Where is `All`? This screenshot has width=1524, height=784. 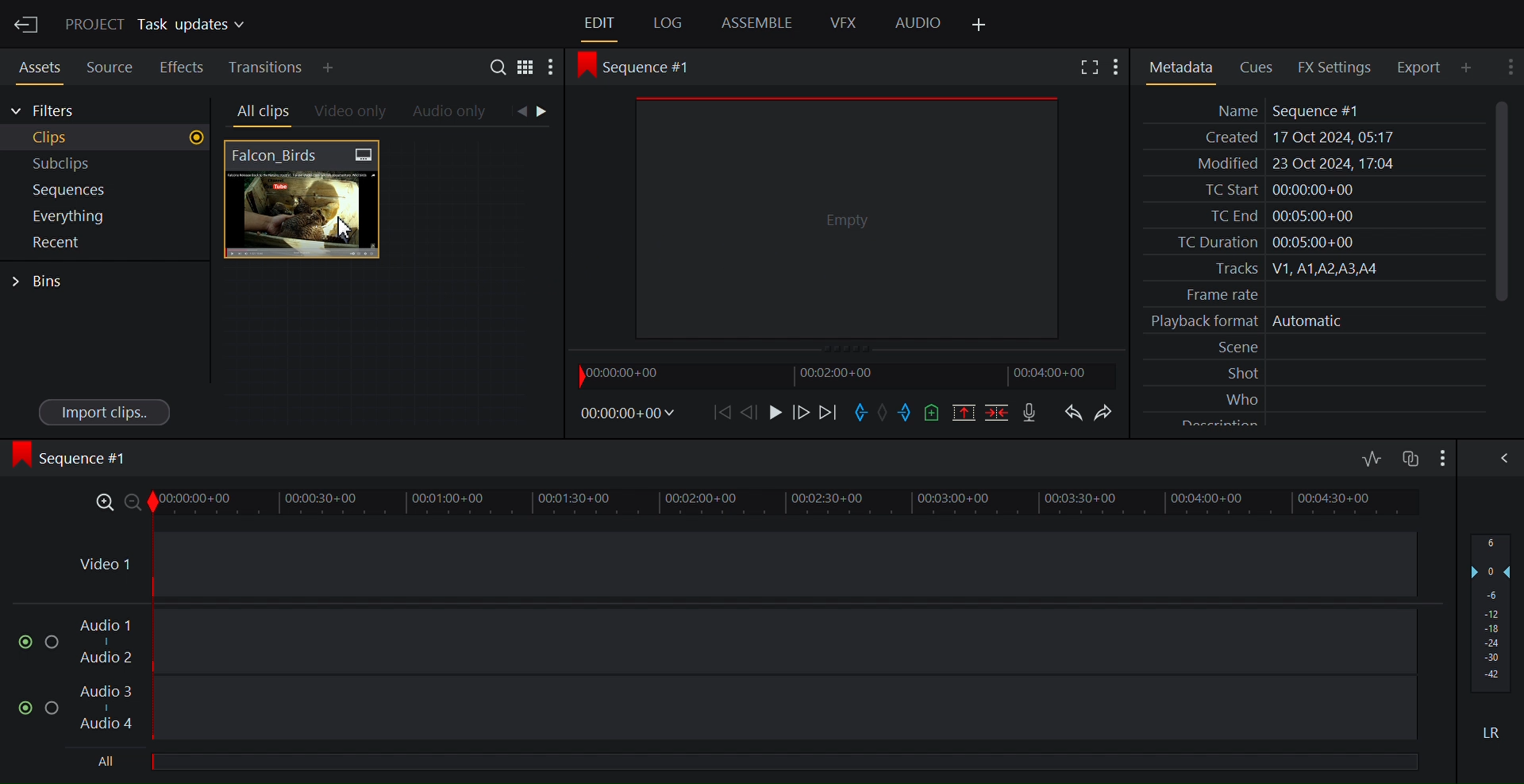
All is located at coordinates (108, 762).